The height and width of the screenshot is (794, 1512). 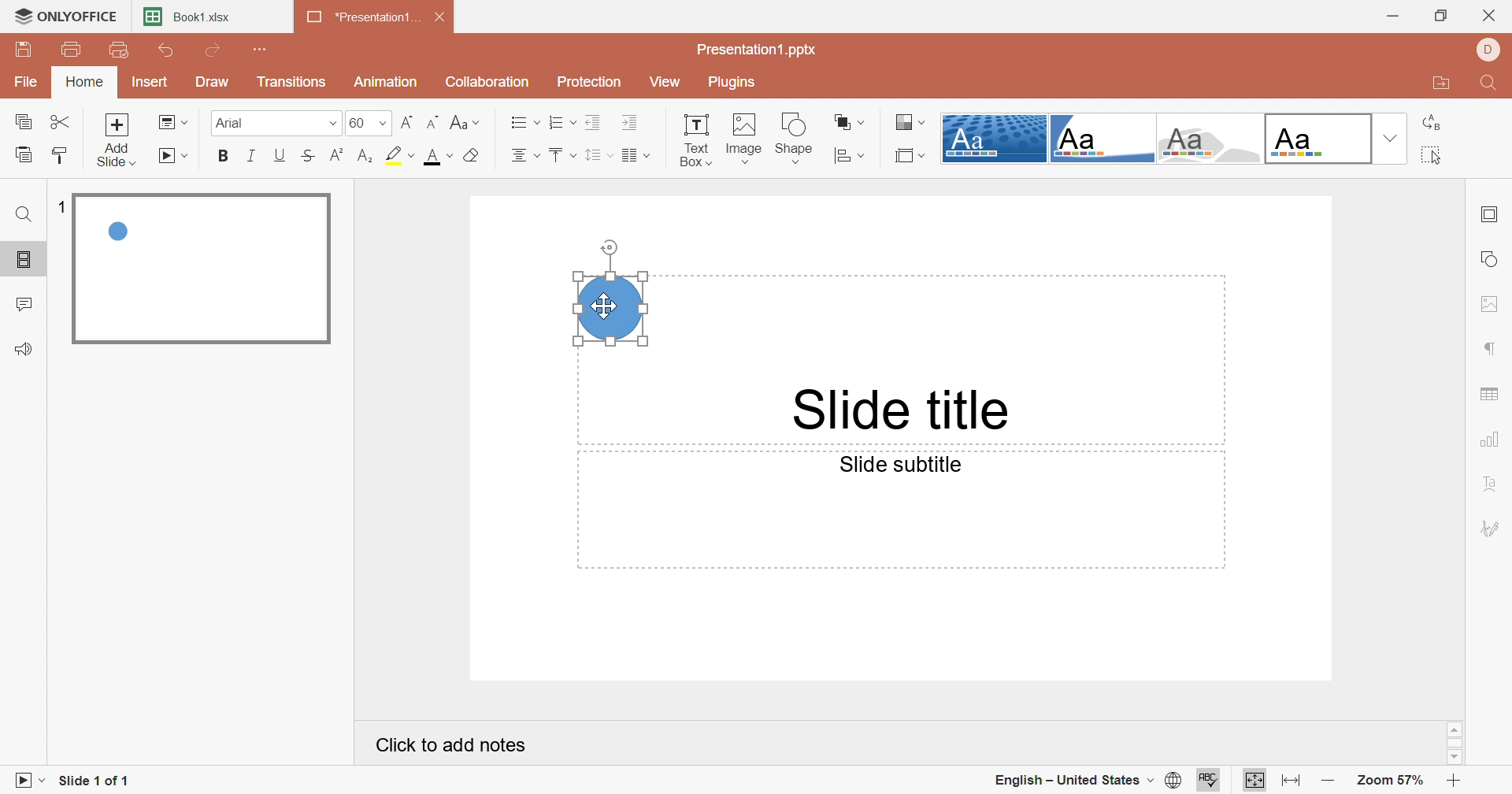 What do you see at coordinates (24, 154) in the screenshot?
I see `Paste` at bounding box center [24, 154].